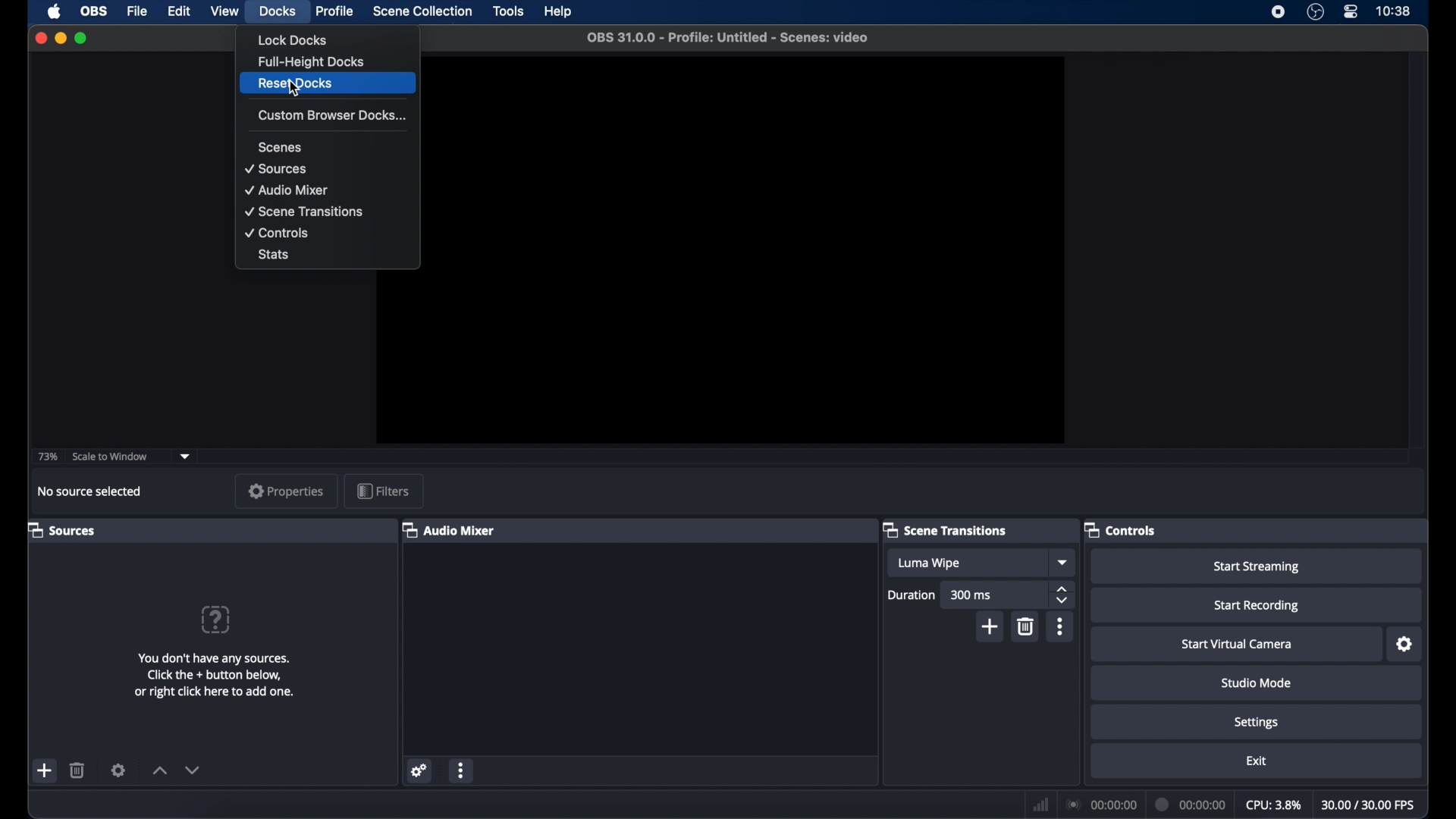  I want to click on decrement, so click(193, 770).